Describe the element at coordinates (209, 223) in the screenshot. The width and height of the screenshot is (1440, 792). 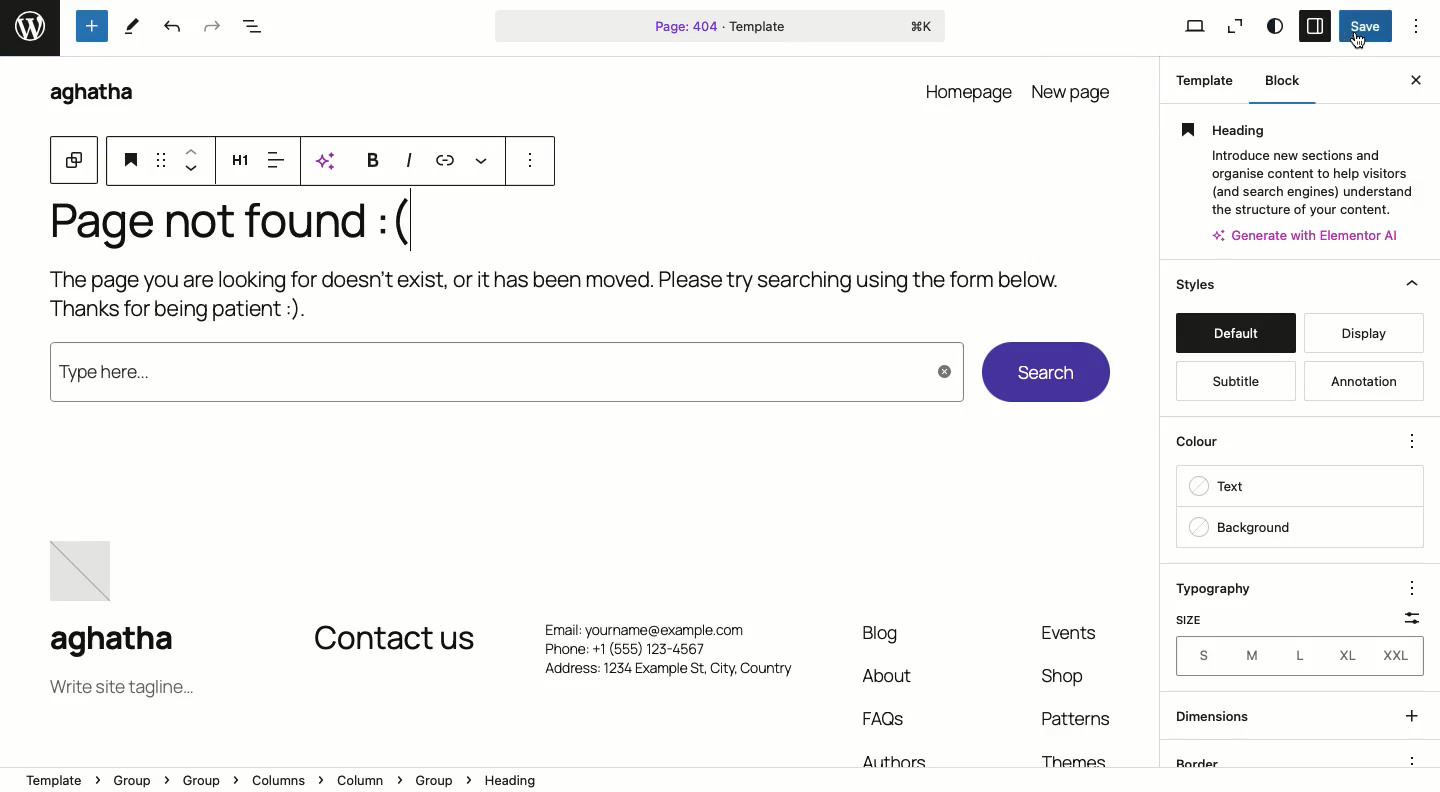
I see `Page not found` at that location.